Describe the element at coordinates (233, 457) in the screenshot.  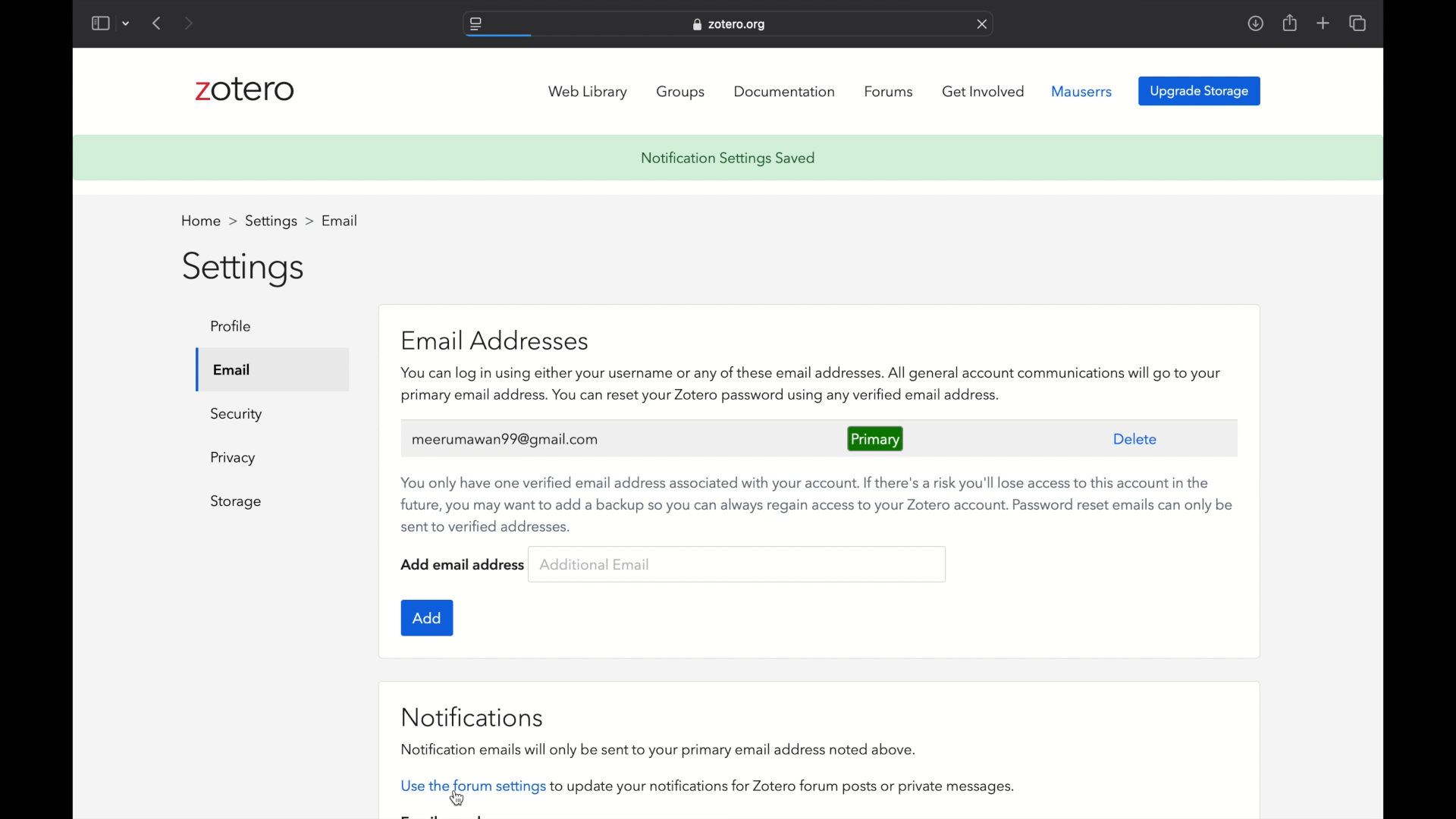
I see `privacy` at that location.